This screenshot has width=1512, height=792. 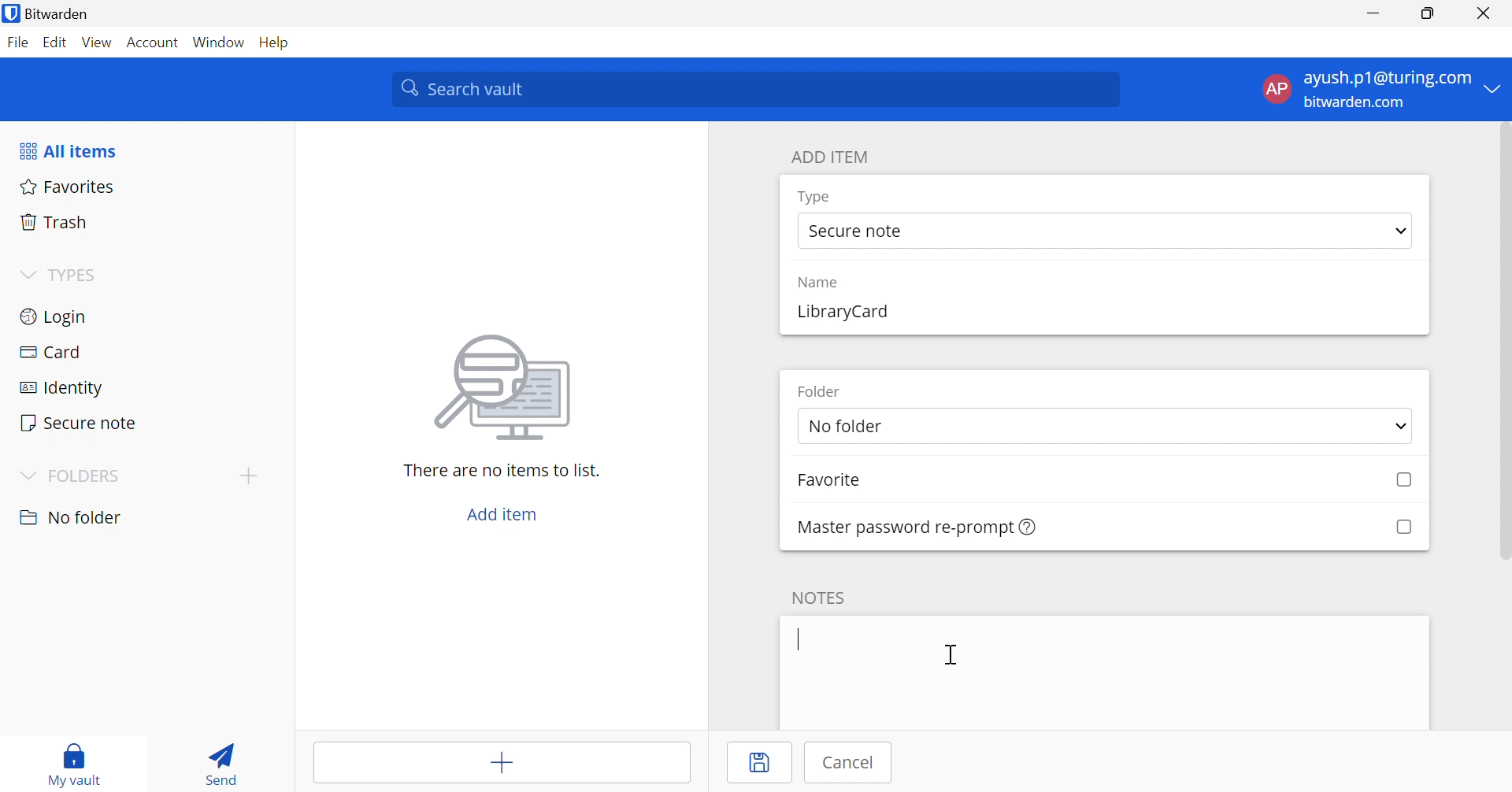 What do you see at coordinates (146, 188) in the screenshot?
I see `Favorites` at bounding box center [146, 188].